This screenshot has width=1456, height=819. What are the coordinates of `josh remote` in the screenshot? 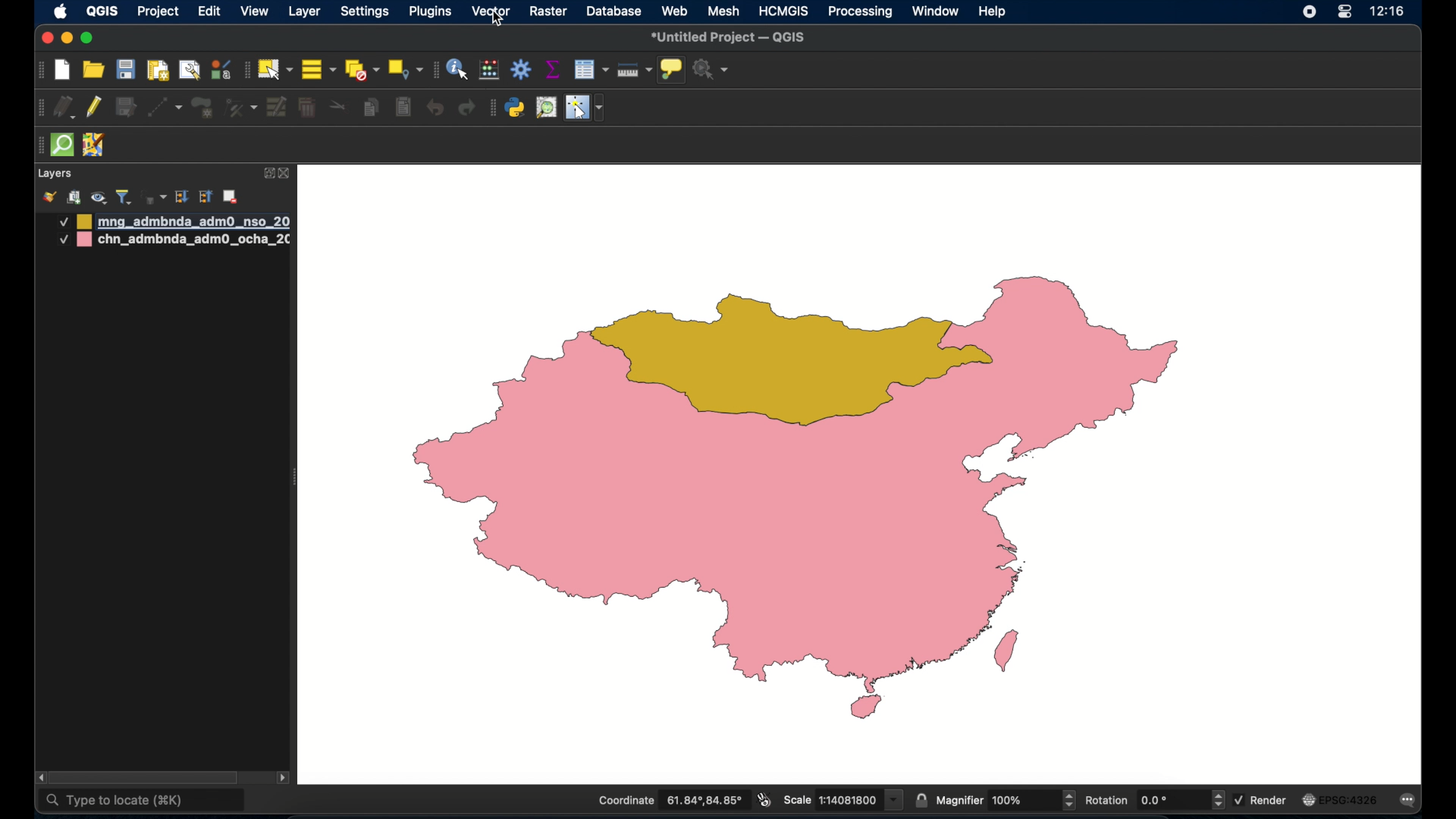 It's located at (93, 146).